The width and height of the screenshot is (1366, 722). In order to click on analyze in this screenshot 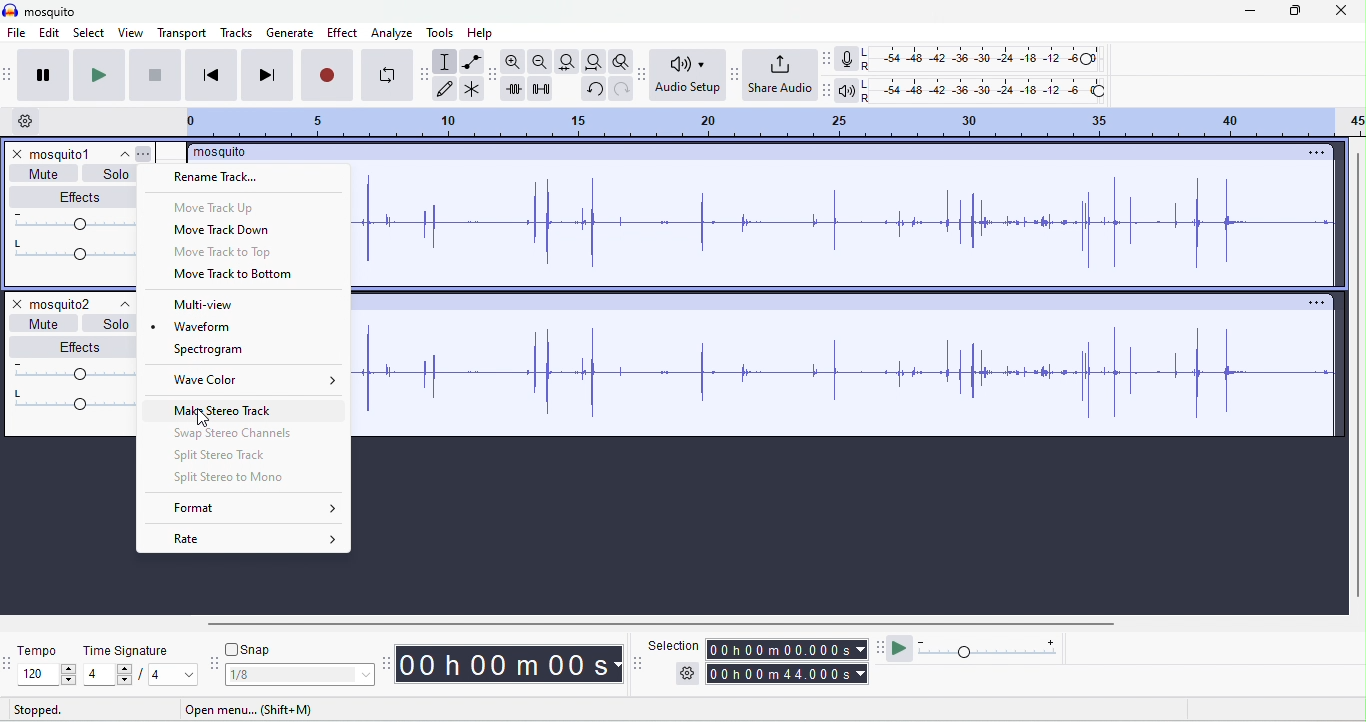, I will do `click(392, 32)`.